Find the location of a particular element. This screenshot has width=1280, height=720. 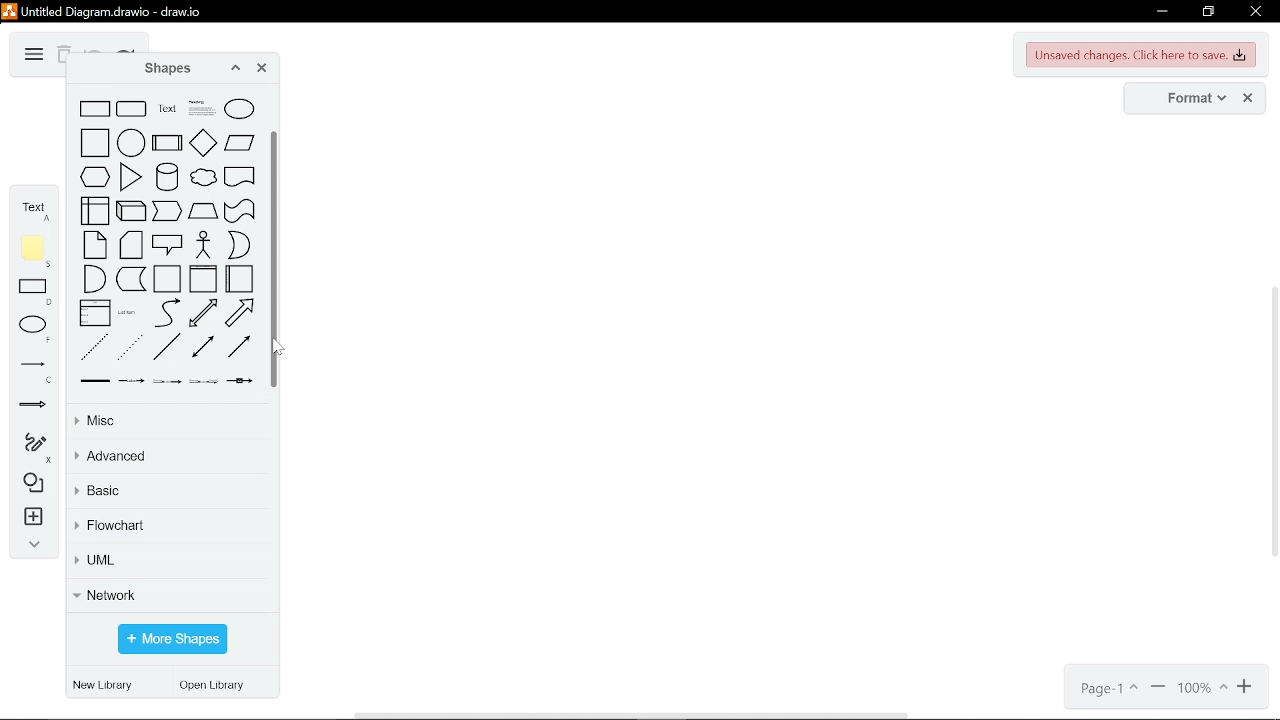

triangle is located at coordinates (131, 177).